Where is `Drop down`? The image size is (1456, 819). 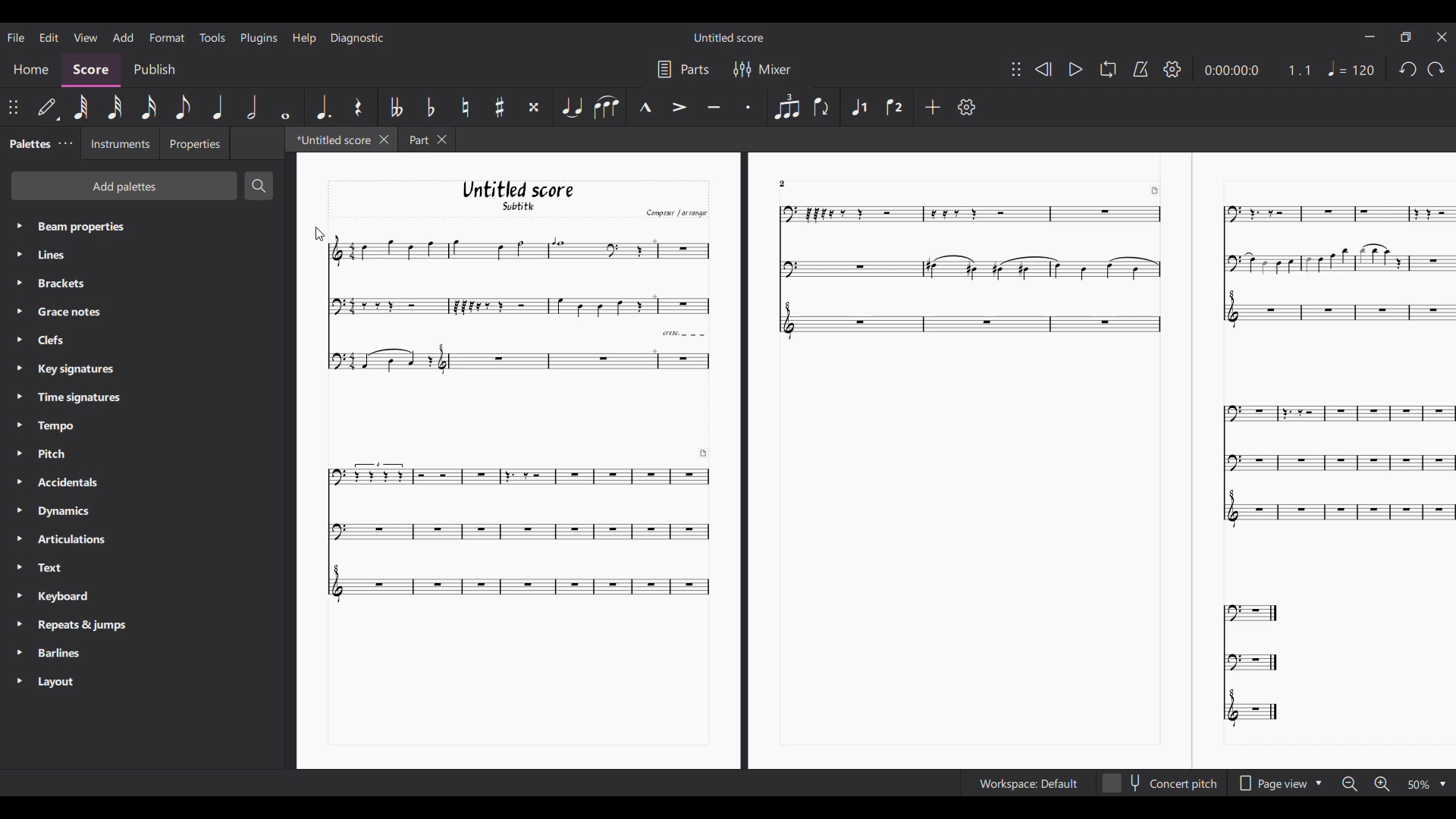 Drop down is located at coordinates (1321, 782).